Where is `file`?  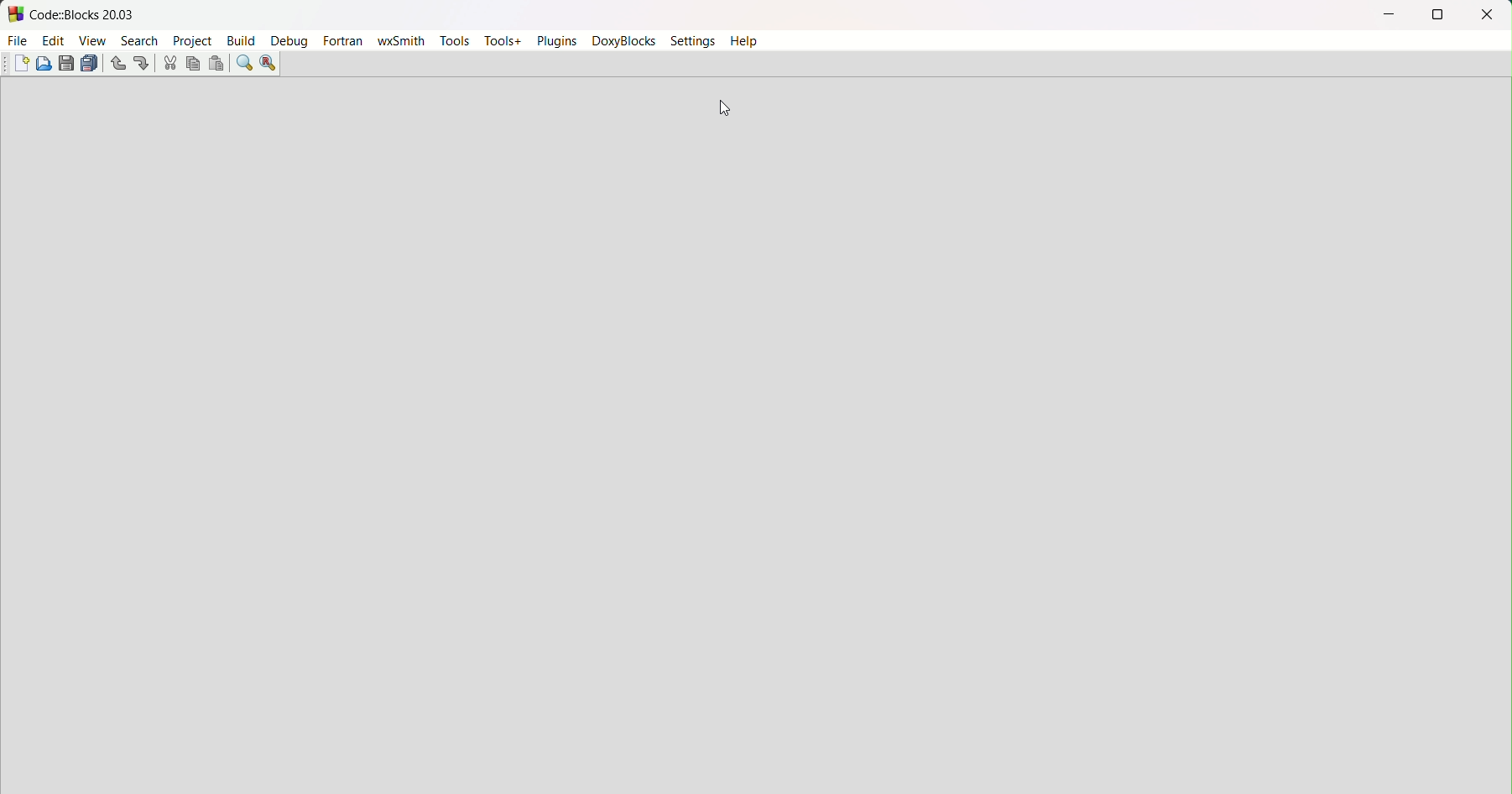
file is located at coordinates (18, 42).